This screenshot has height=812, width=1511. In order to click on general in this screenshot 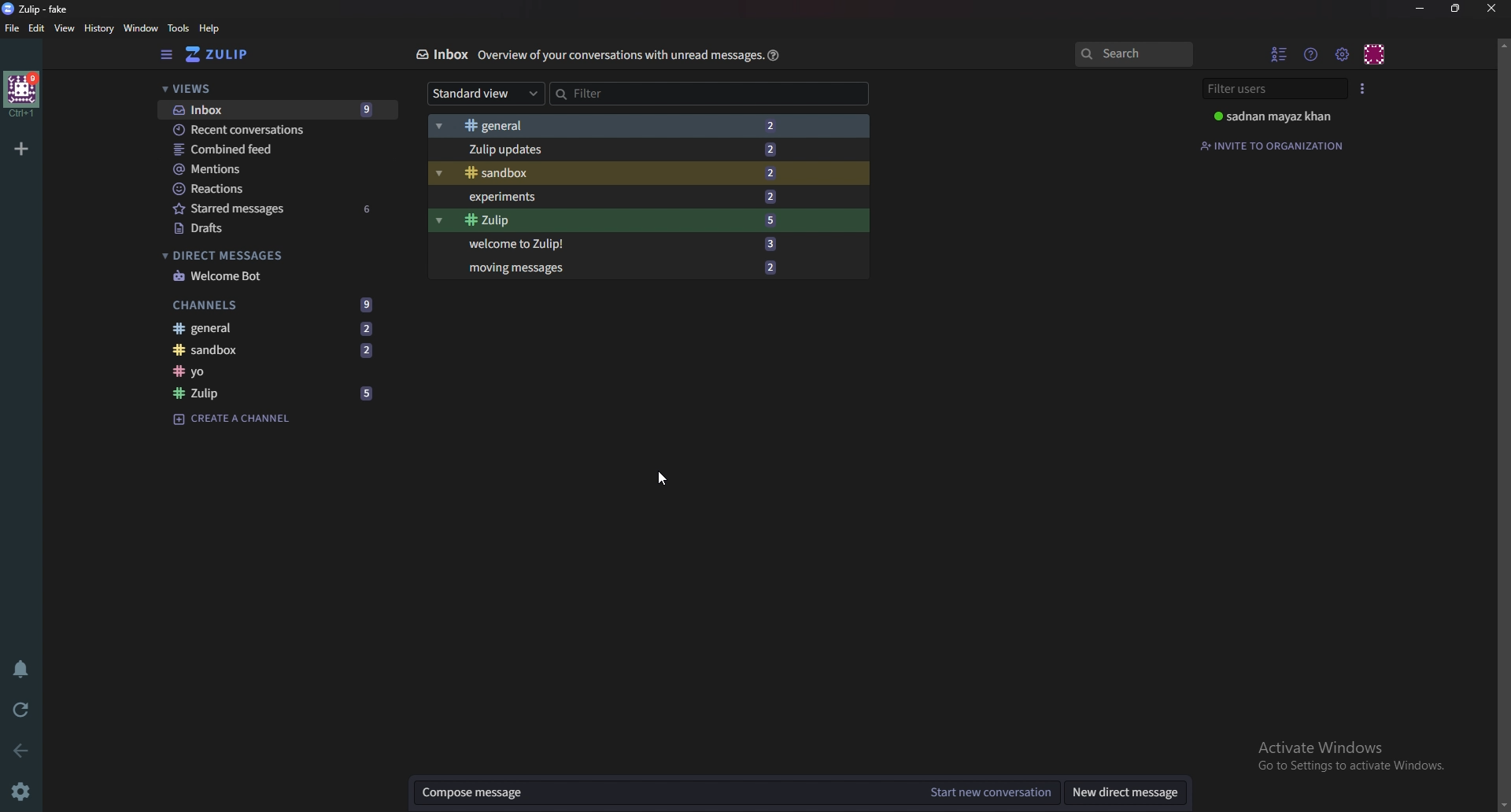, I will do `click(279, 327)`.